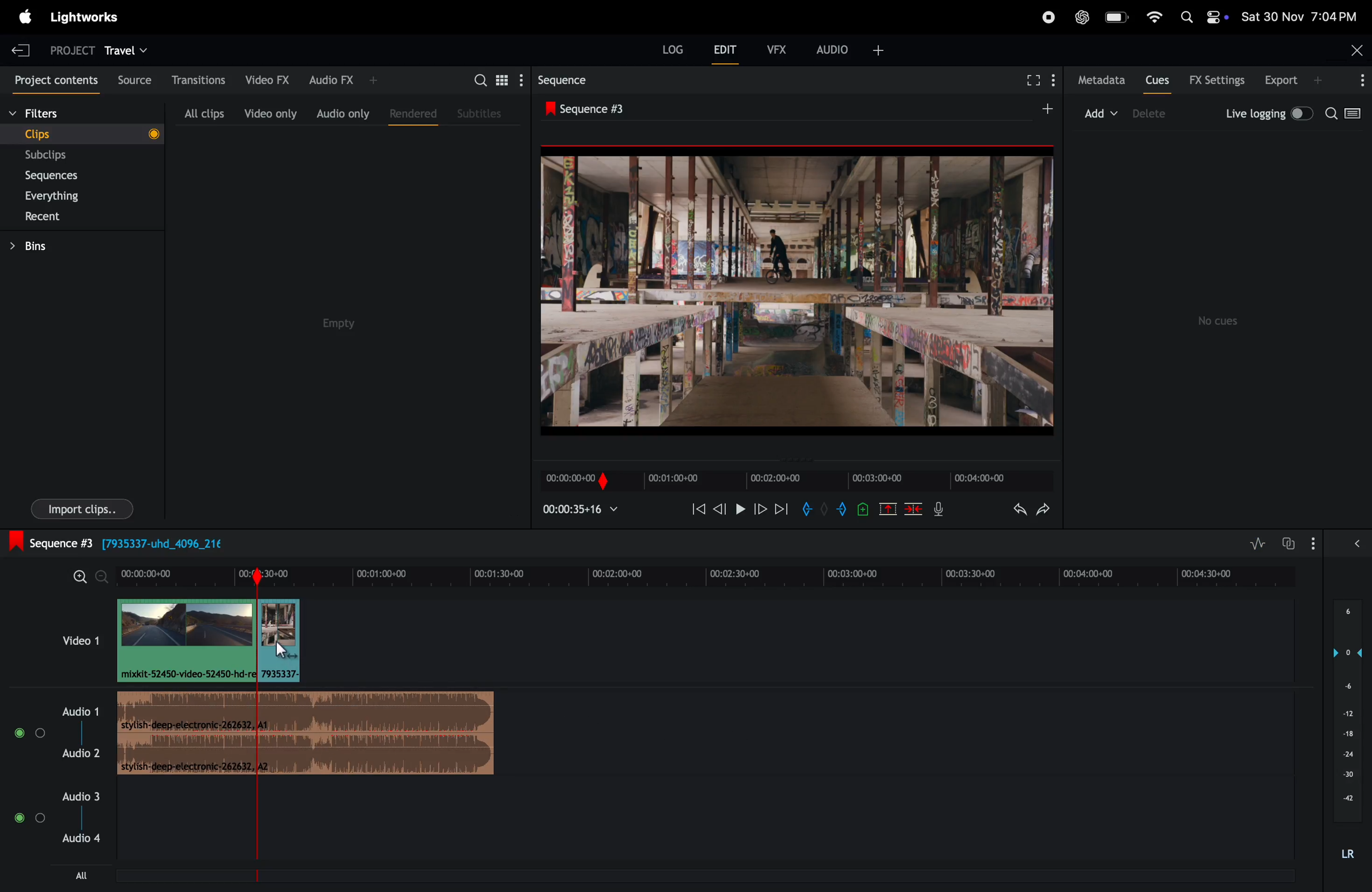  What do you see at coordinates (1343, 652) in the screenshot?
I see `0 (layers)` at bounding box center [1343, 652].